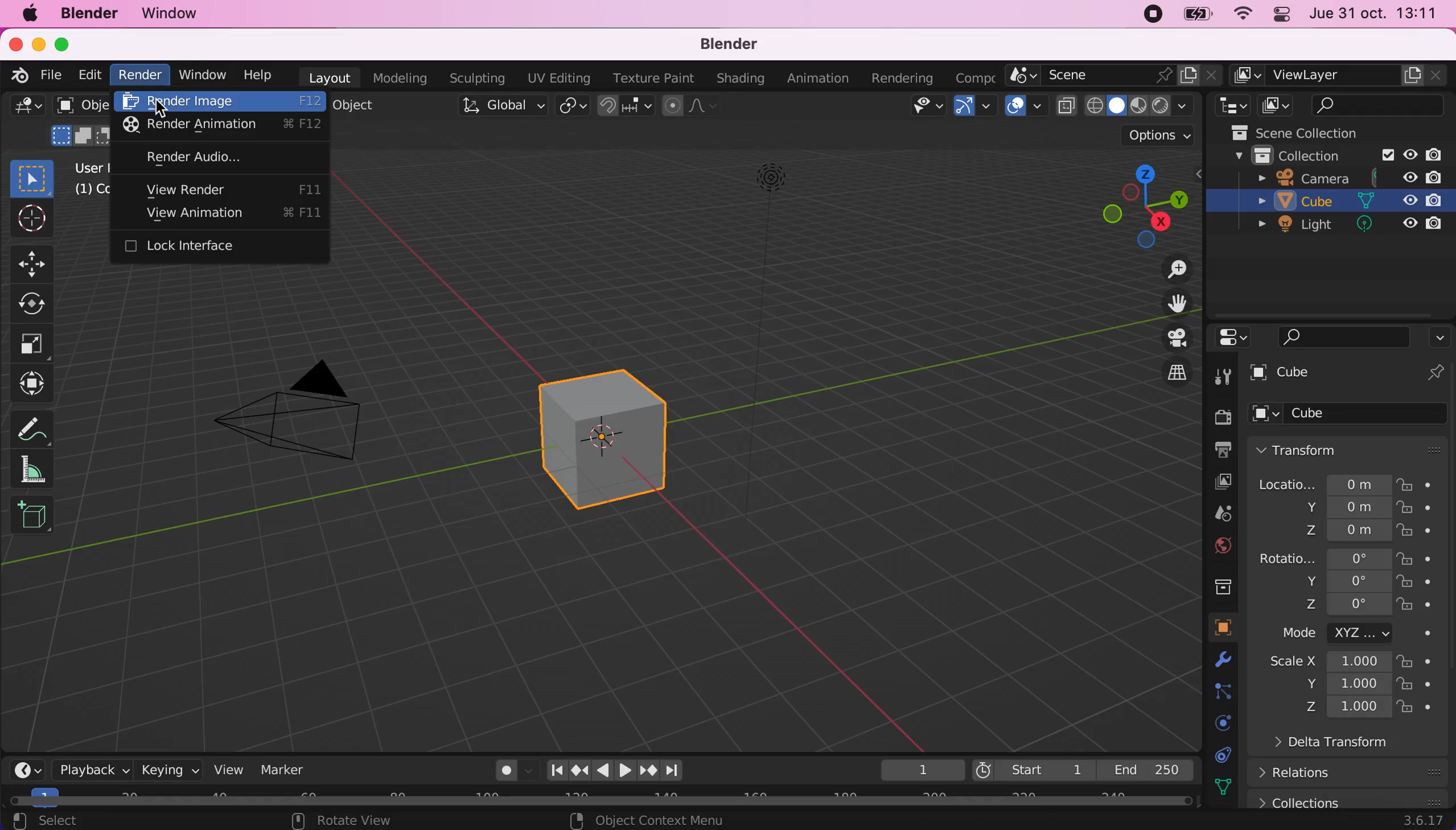 The image size is (1456, 830). I want to click on Jump to previous keyframe, so click(578, 768).